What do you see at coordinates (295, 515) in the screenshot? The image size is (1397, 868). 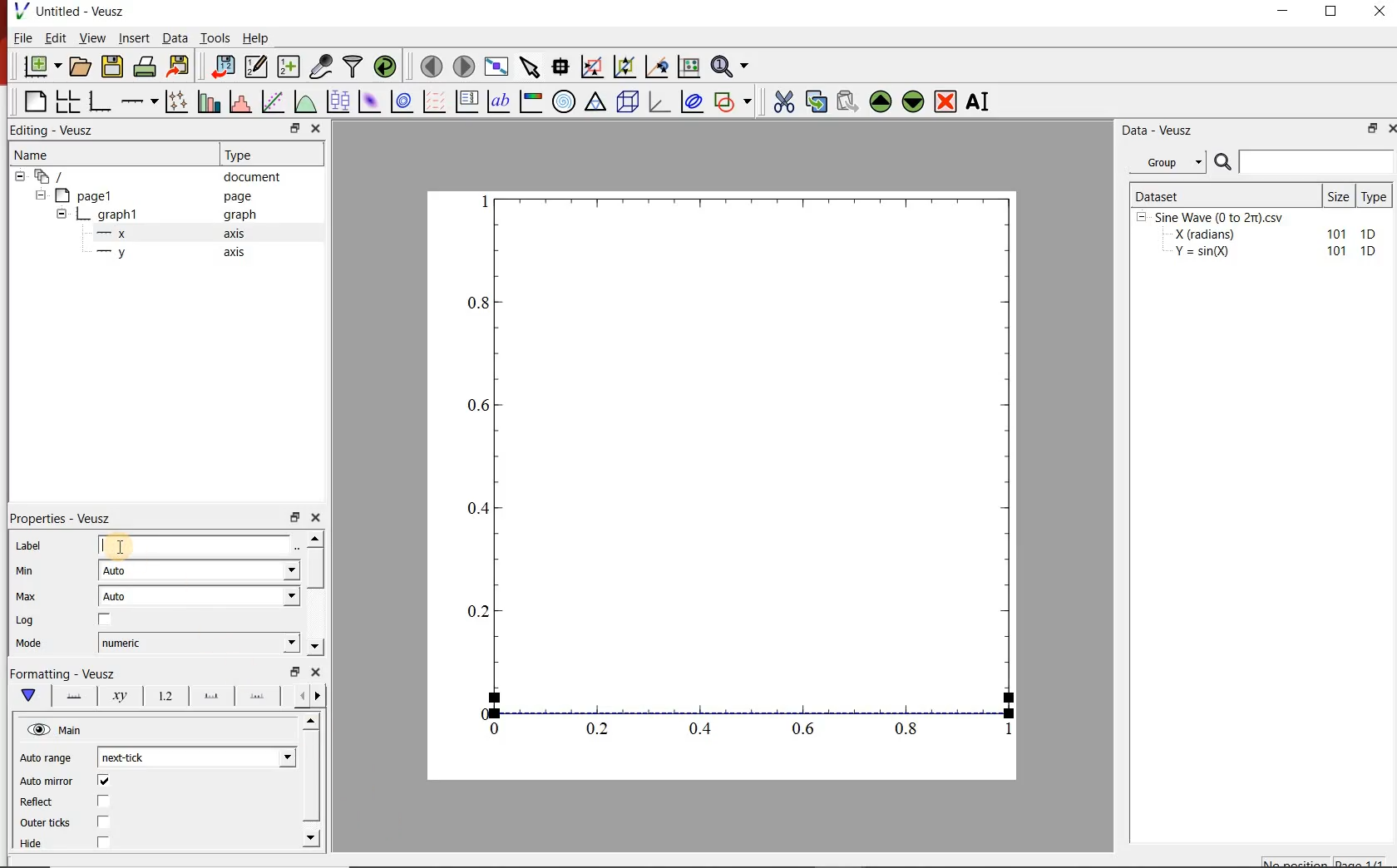 I see `Min/Max` at bounding box center [295, 515].